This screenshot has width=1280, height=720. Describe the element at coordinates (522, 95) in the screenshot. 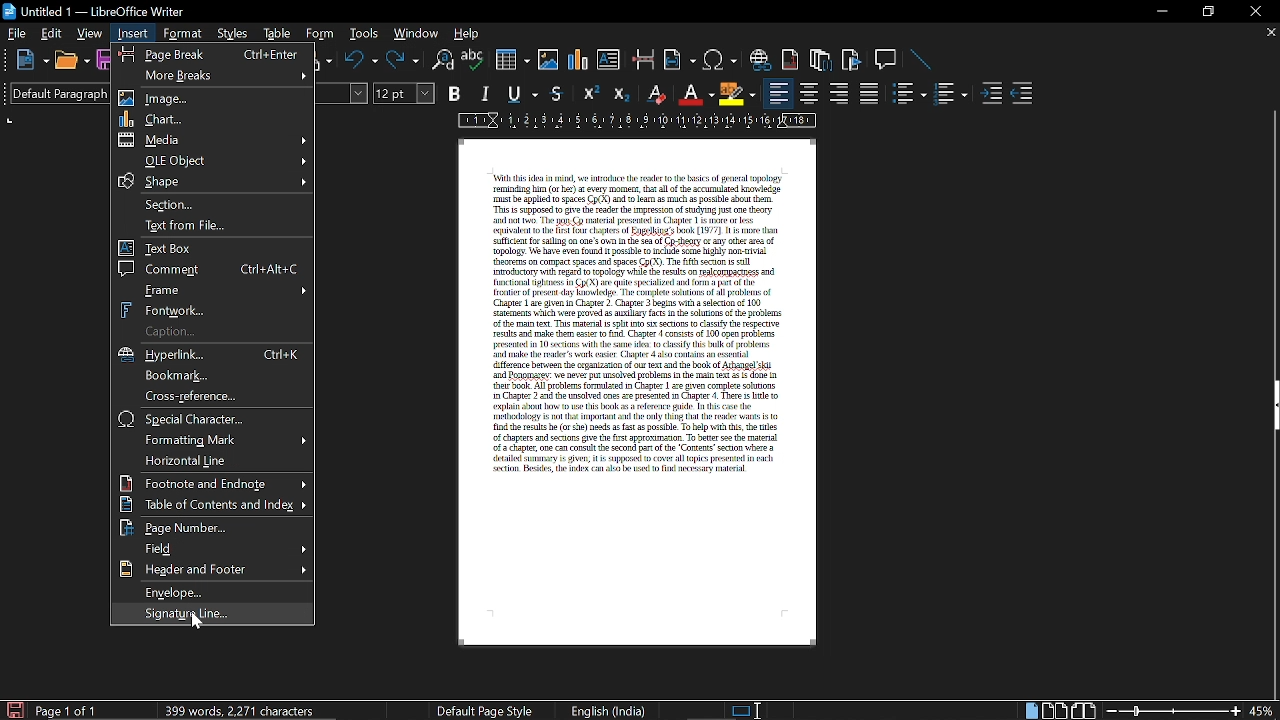

I see `underline` at that location.